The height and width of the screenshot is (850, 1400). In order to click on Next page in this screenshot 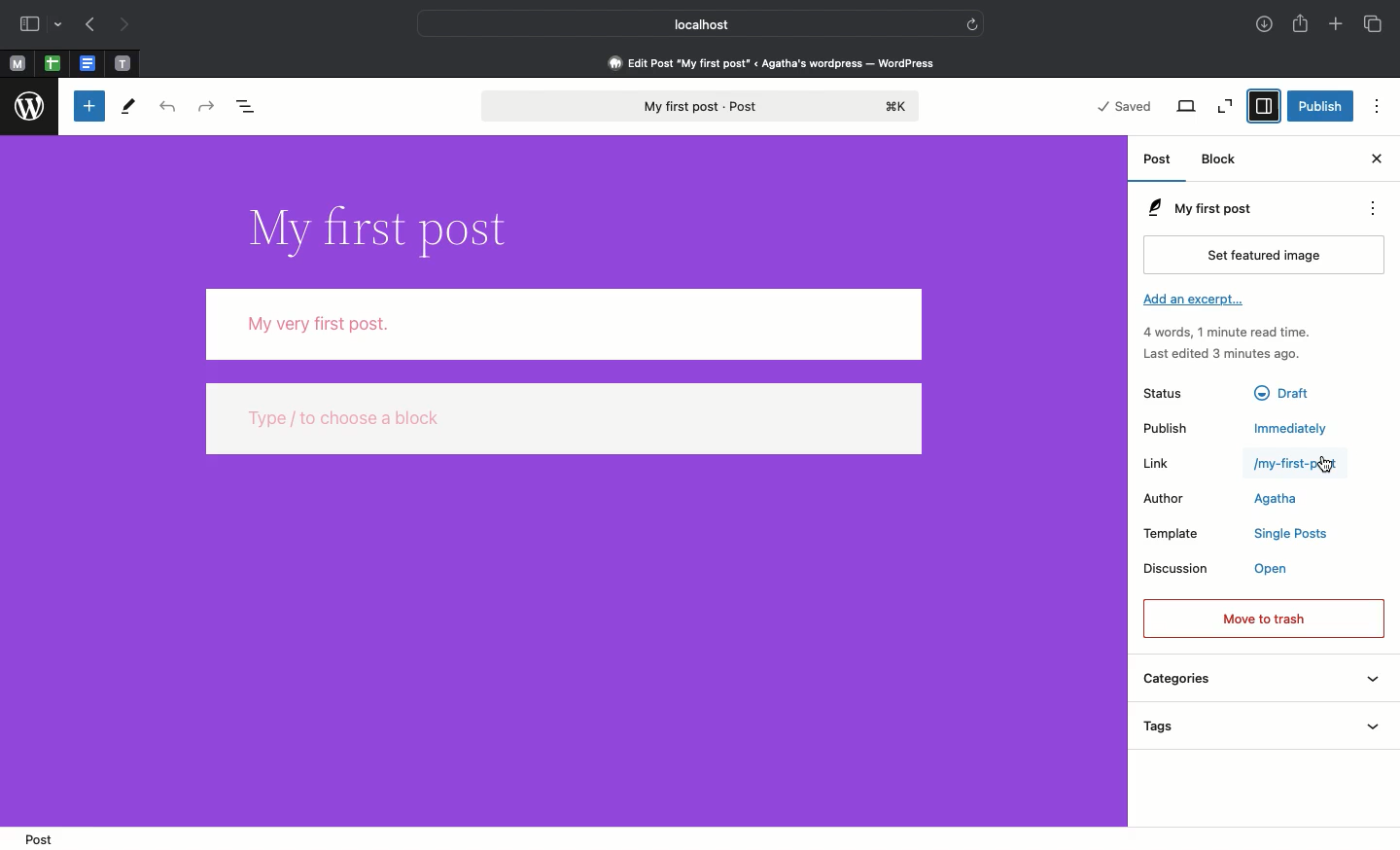, I will do `click(130, 25)`.